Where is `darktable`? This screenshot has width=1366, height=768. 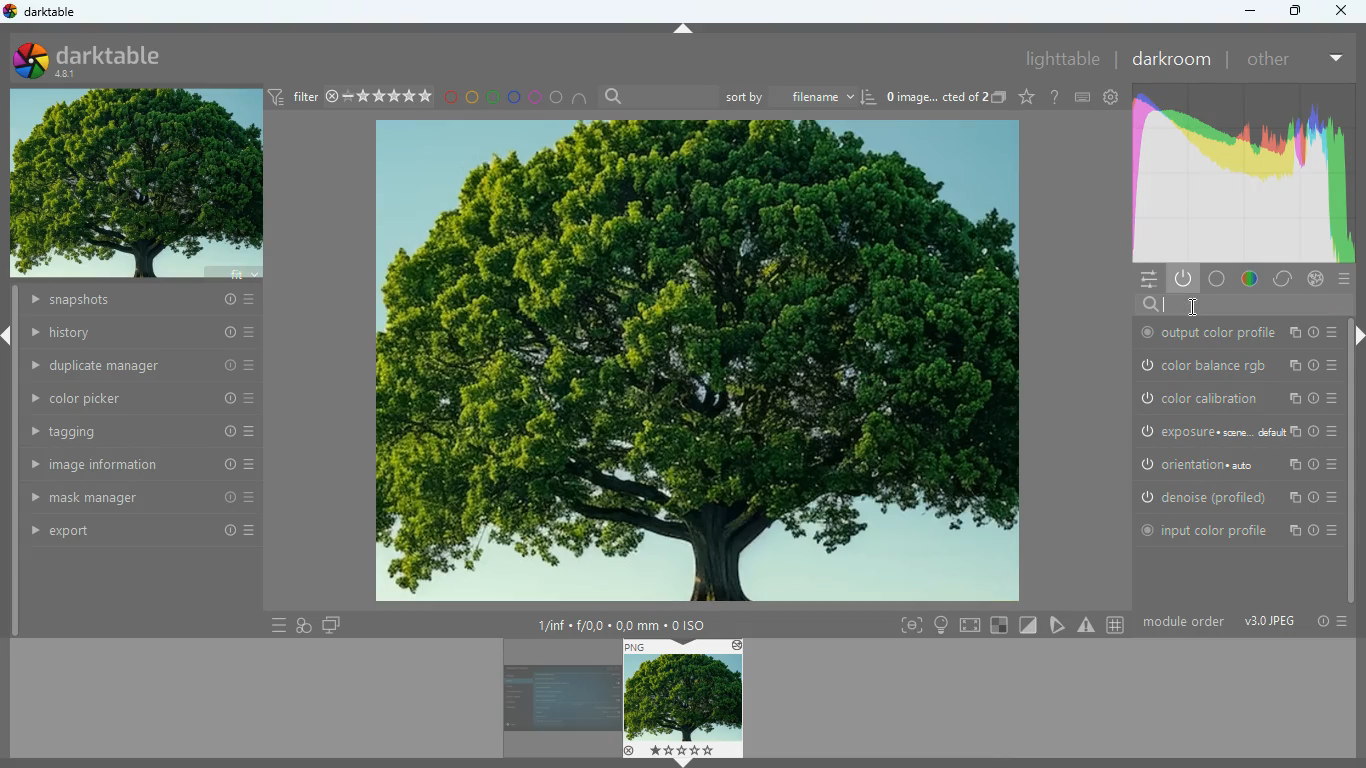
darktable is located at coordinates (44, 13).